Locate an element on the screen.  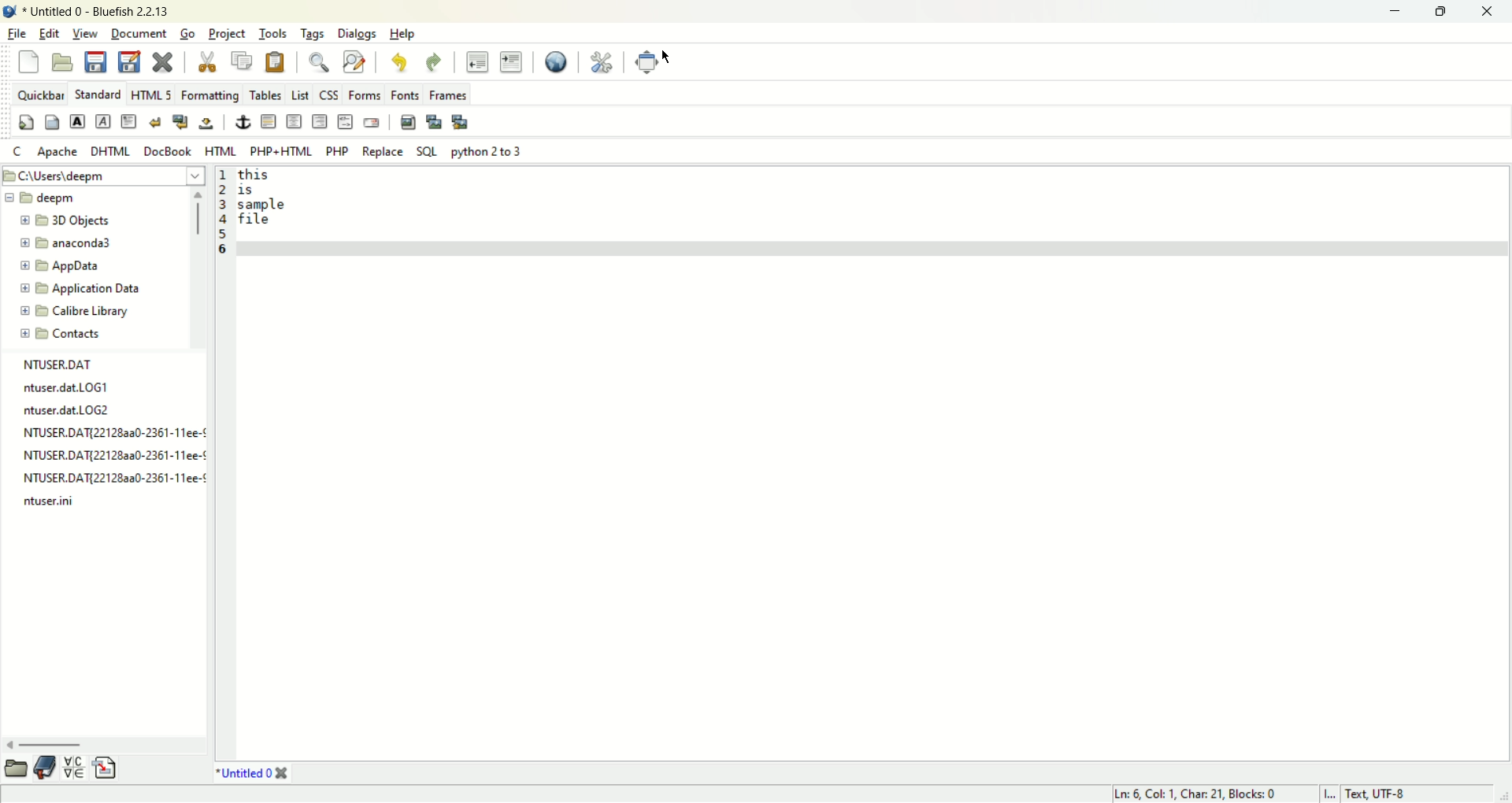
help is located at coordinates (404, 34).